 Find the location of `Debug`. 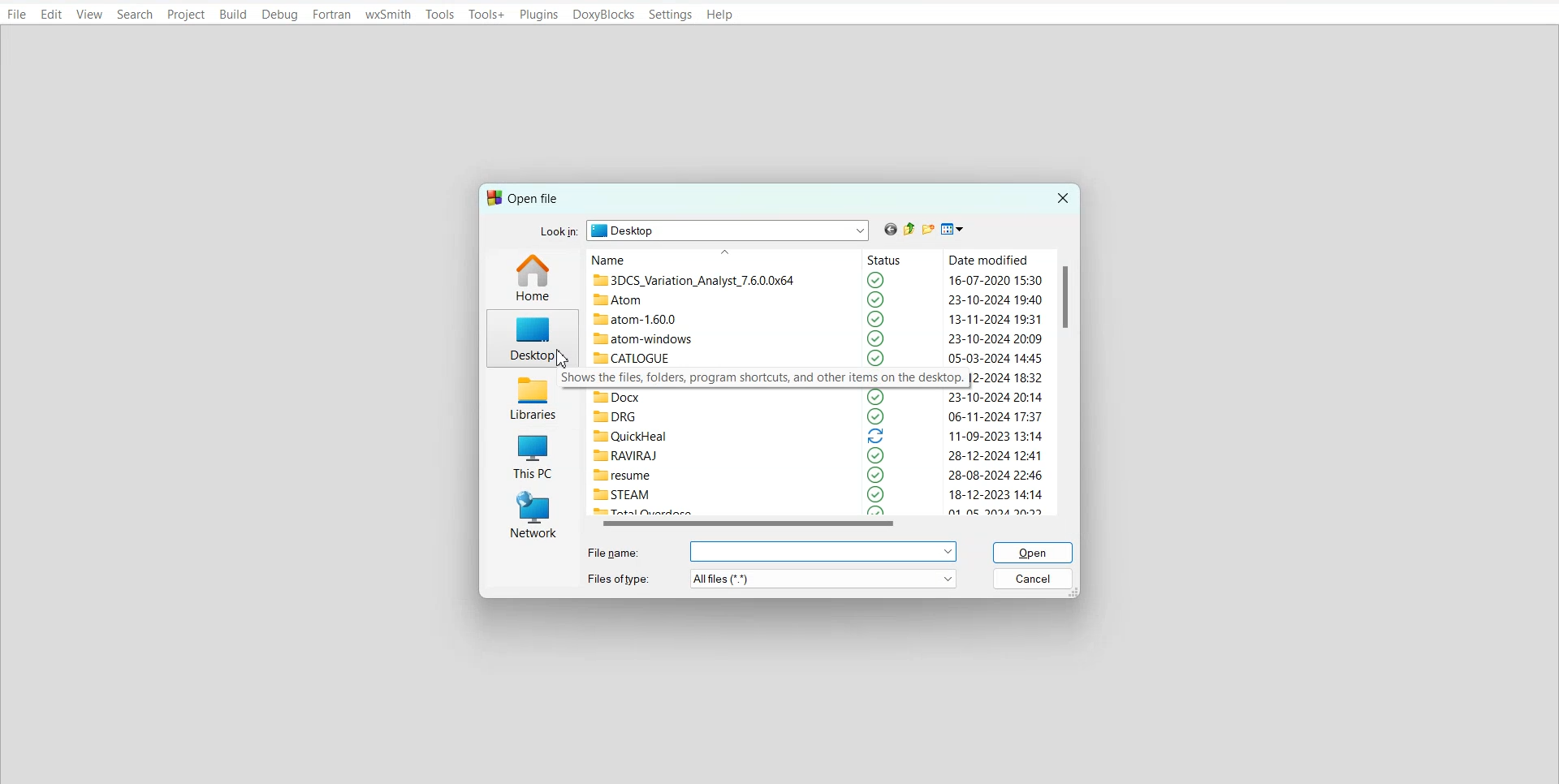

Debug is located at coordinates (279, 15).